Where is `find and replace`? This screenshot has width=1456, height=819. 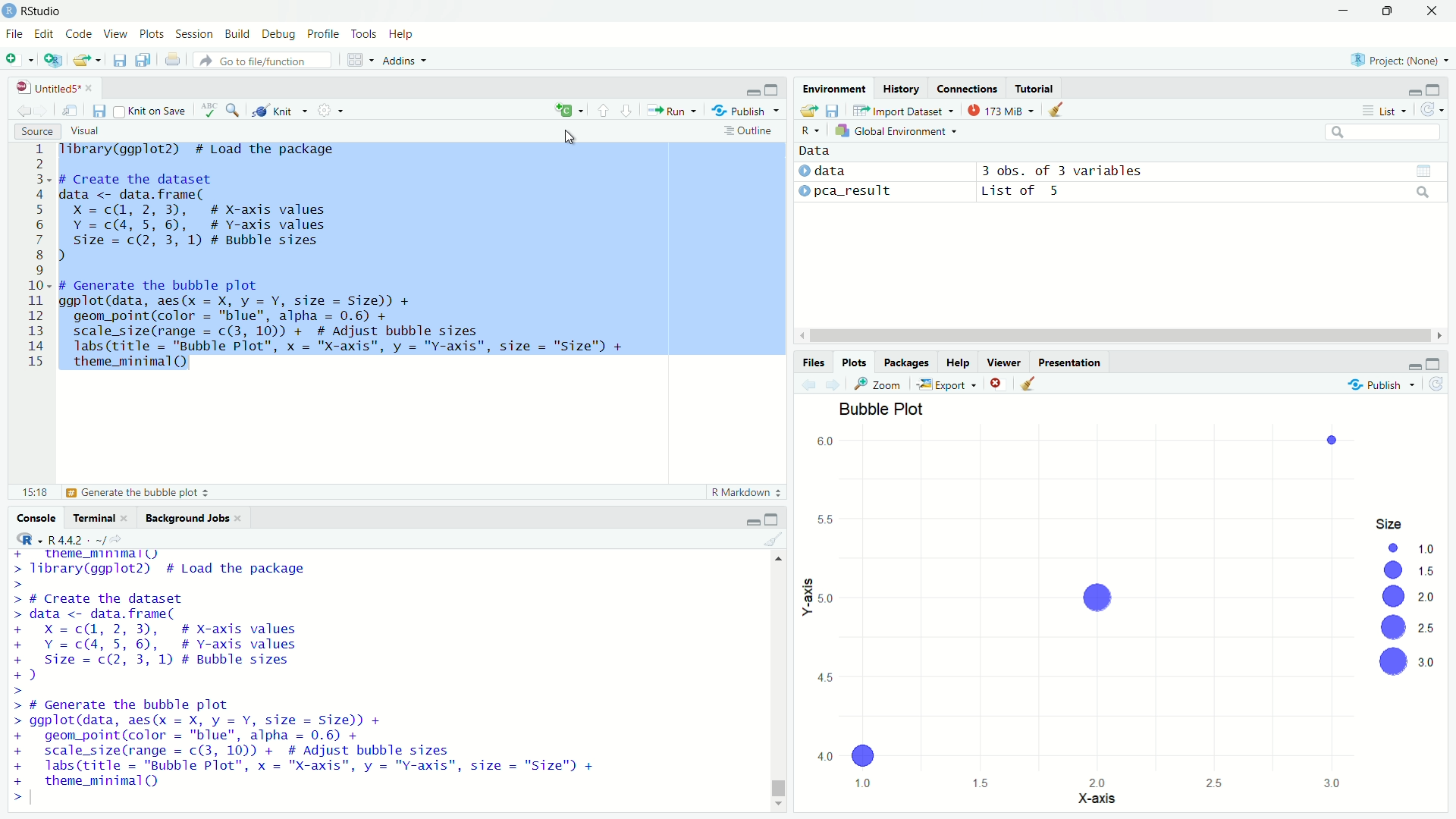 find and replace is located at coordinates (234, 108).